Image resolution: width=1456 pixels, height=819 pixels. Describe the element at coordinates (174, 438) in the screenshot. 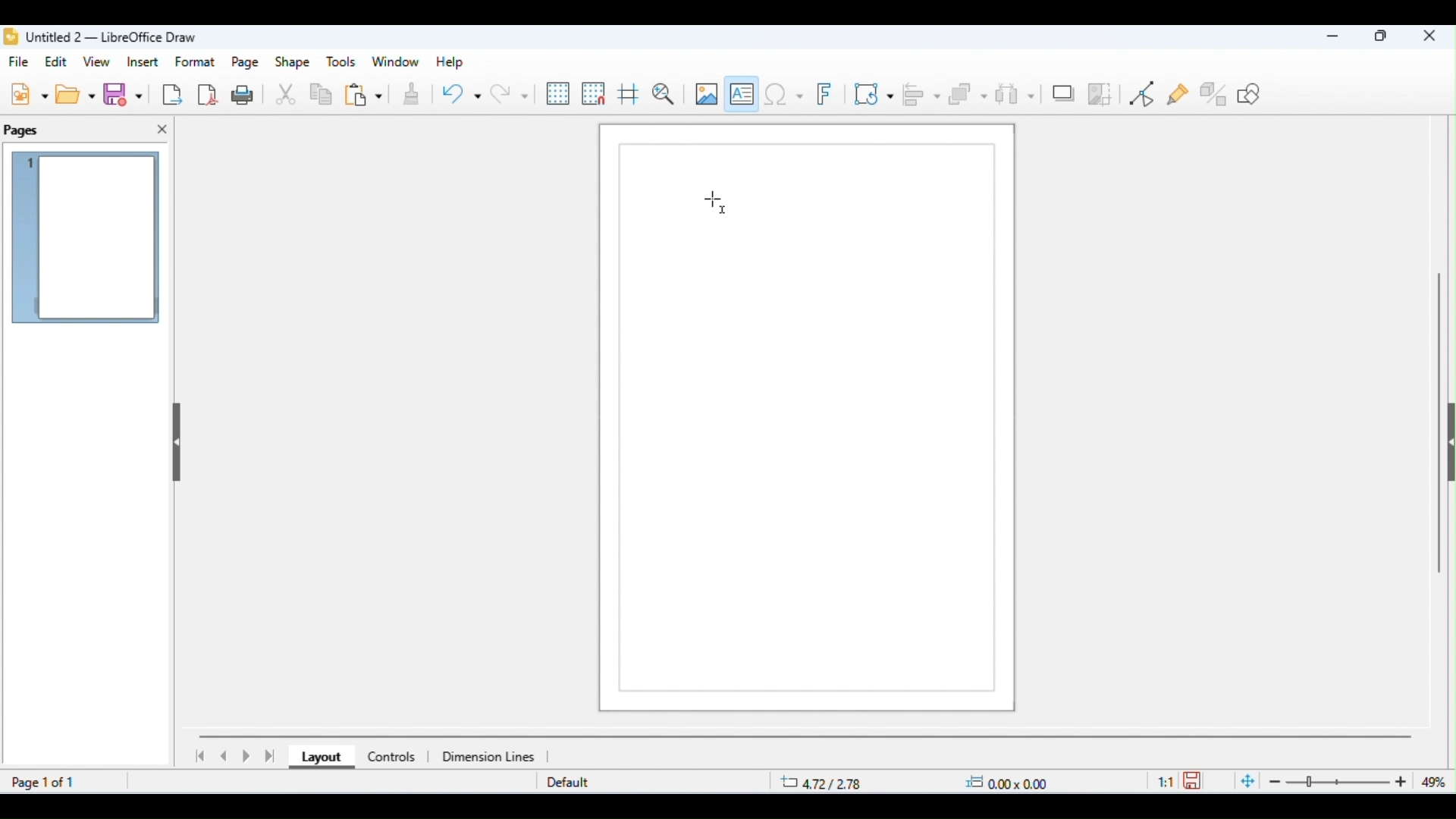

I see `hide` at that location.